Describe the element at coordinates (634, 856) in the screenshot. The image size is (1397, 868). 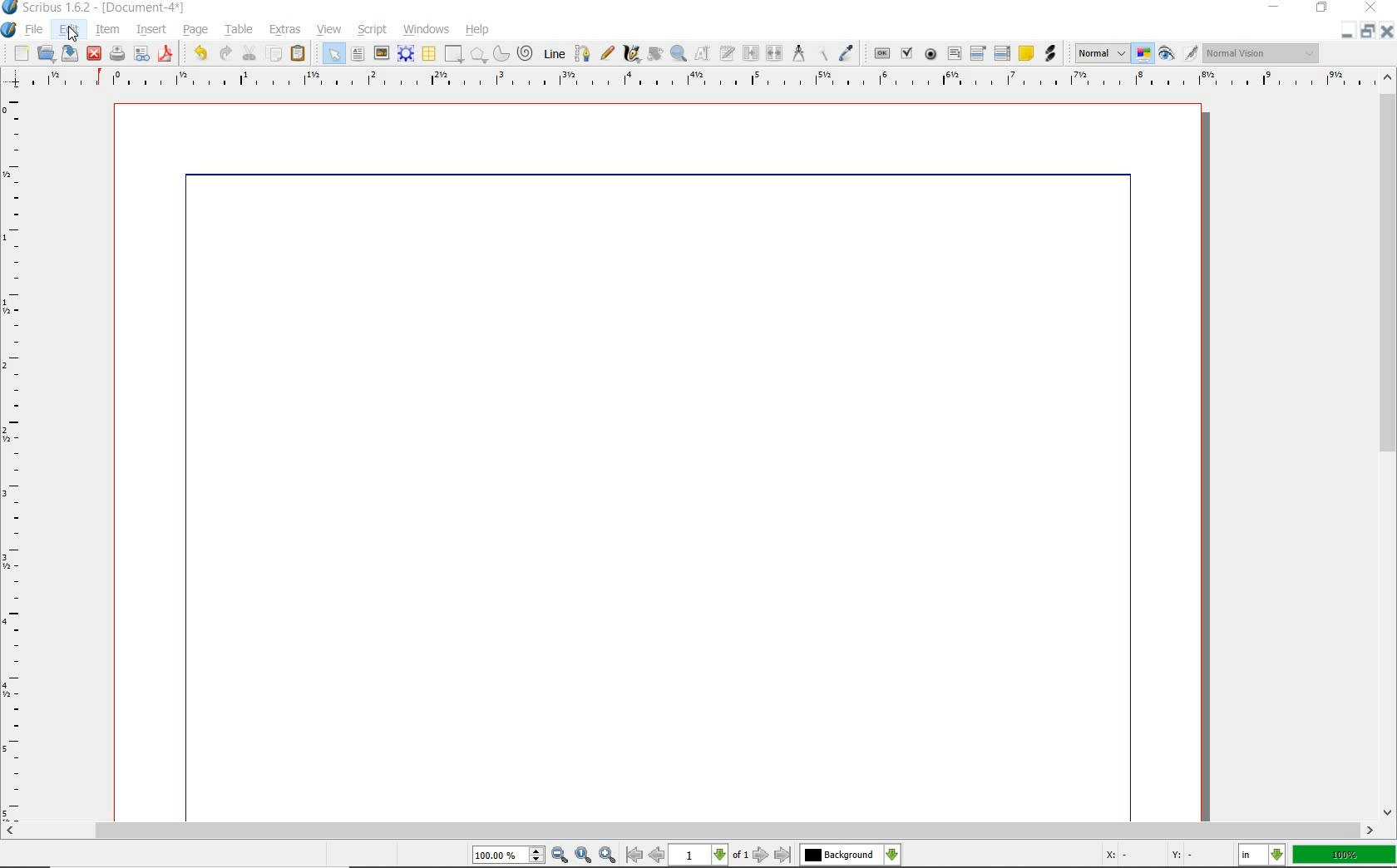
I see `go to first page` at that location.